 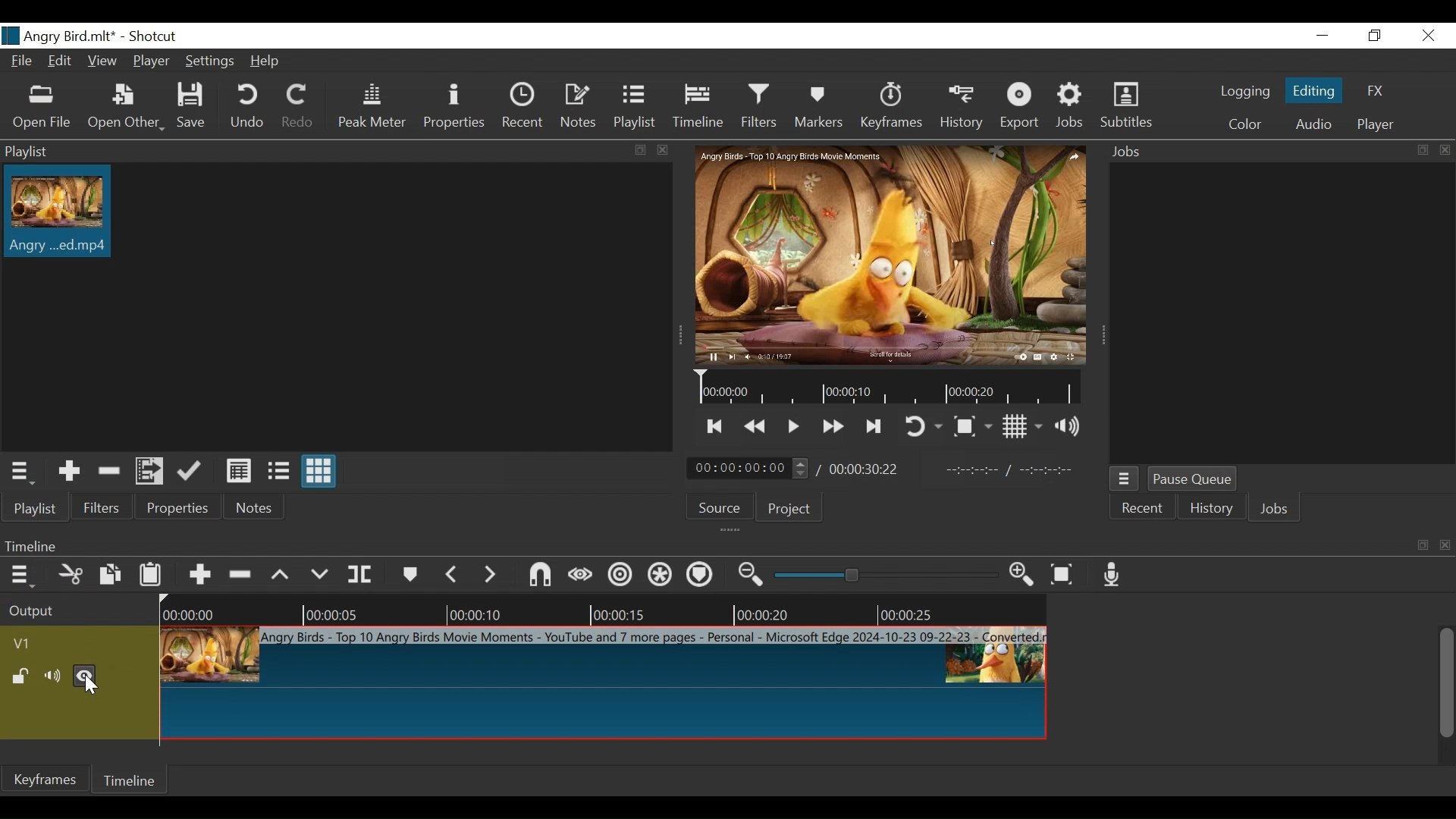 I want to click on Timeline, so click(x=130, y=780).